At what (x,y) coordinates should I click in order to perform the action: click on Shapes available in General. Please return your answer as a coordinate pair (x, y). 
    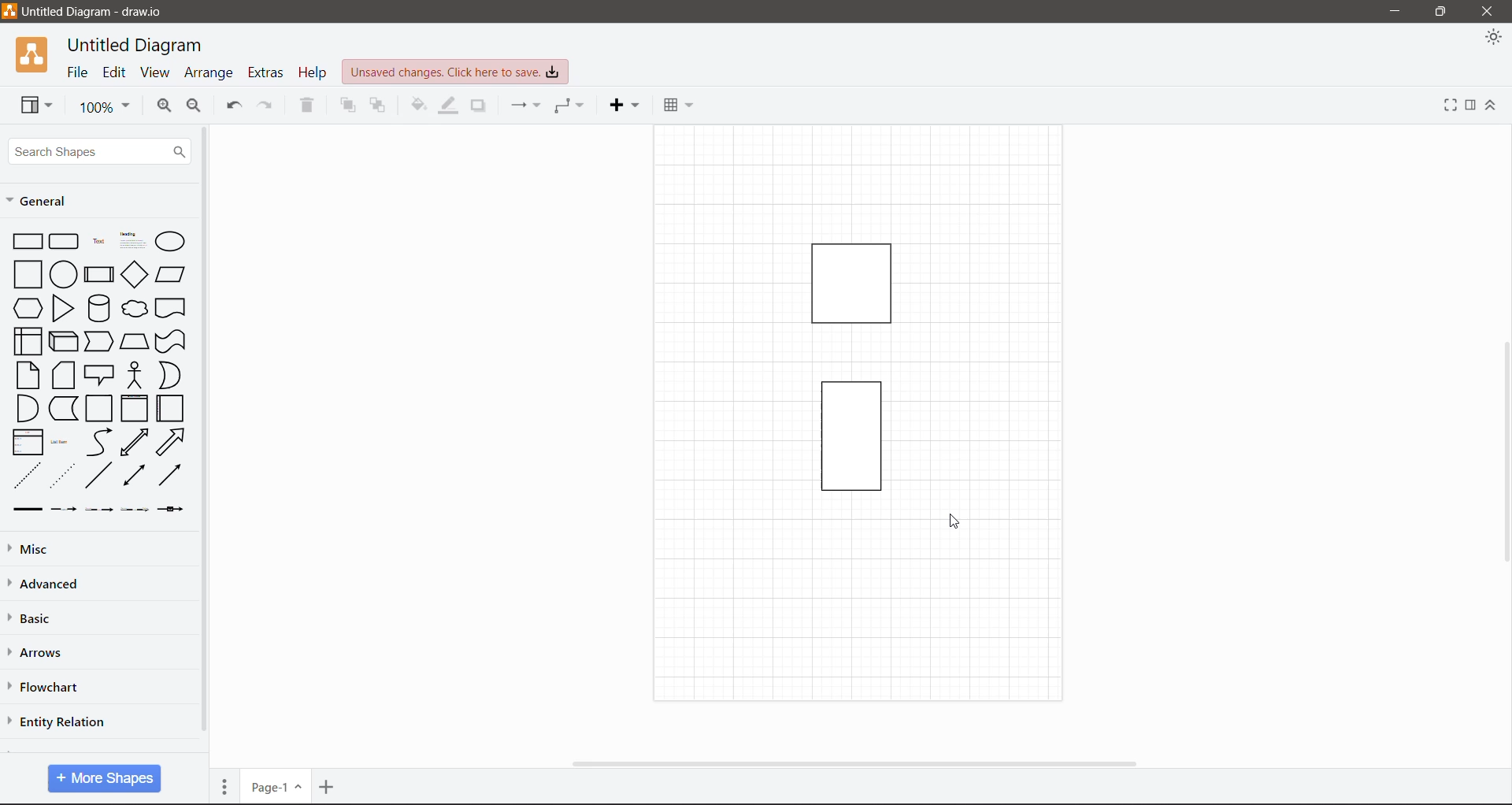
    Looking at the image, I should click on (96, 372).